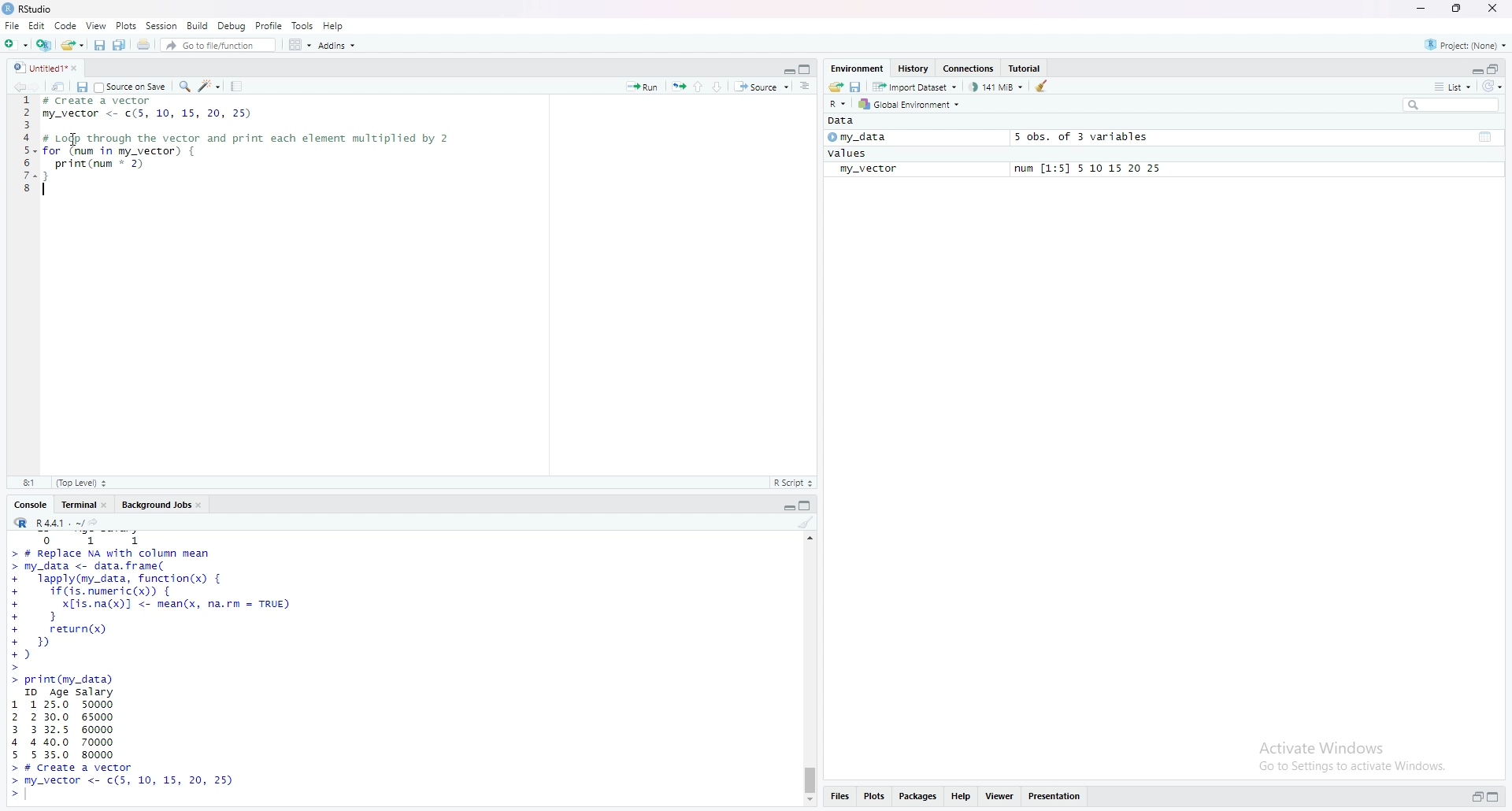  I want to click on load workspace, so click(836, 87).